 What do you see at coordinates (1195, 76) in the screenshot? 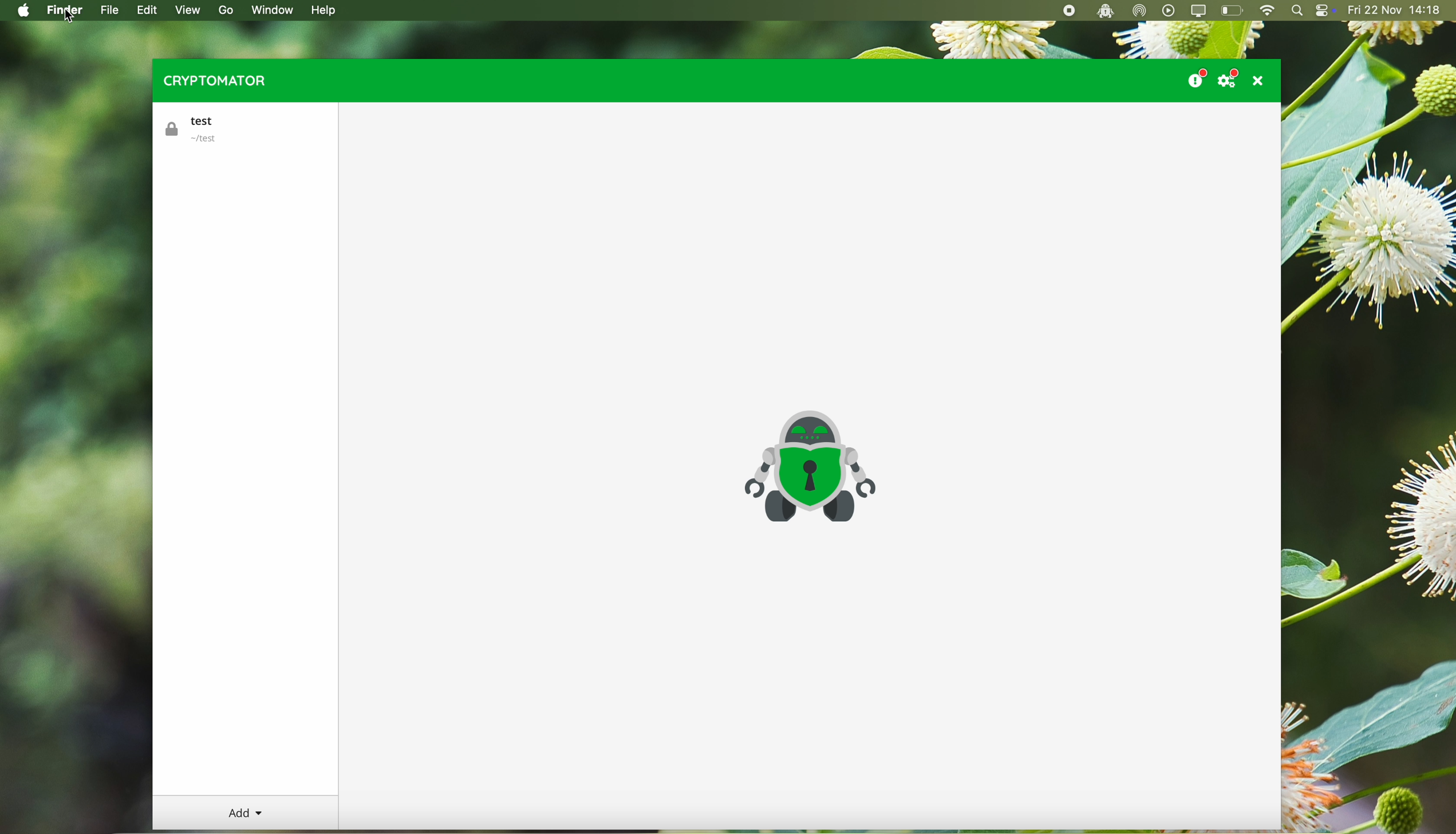
I see `donate` at bounding box center [1195, 76].